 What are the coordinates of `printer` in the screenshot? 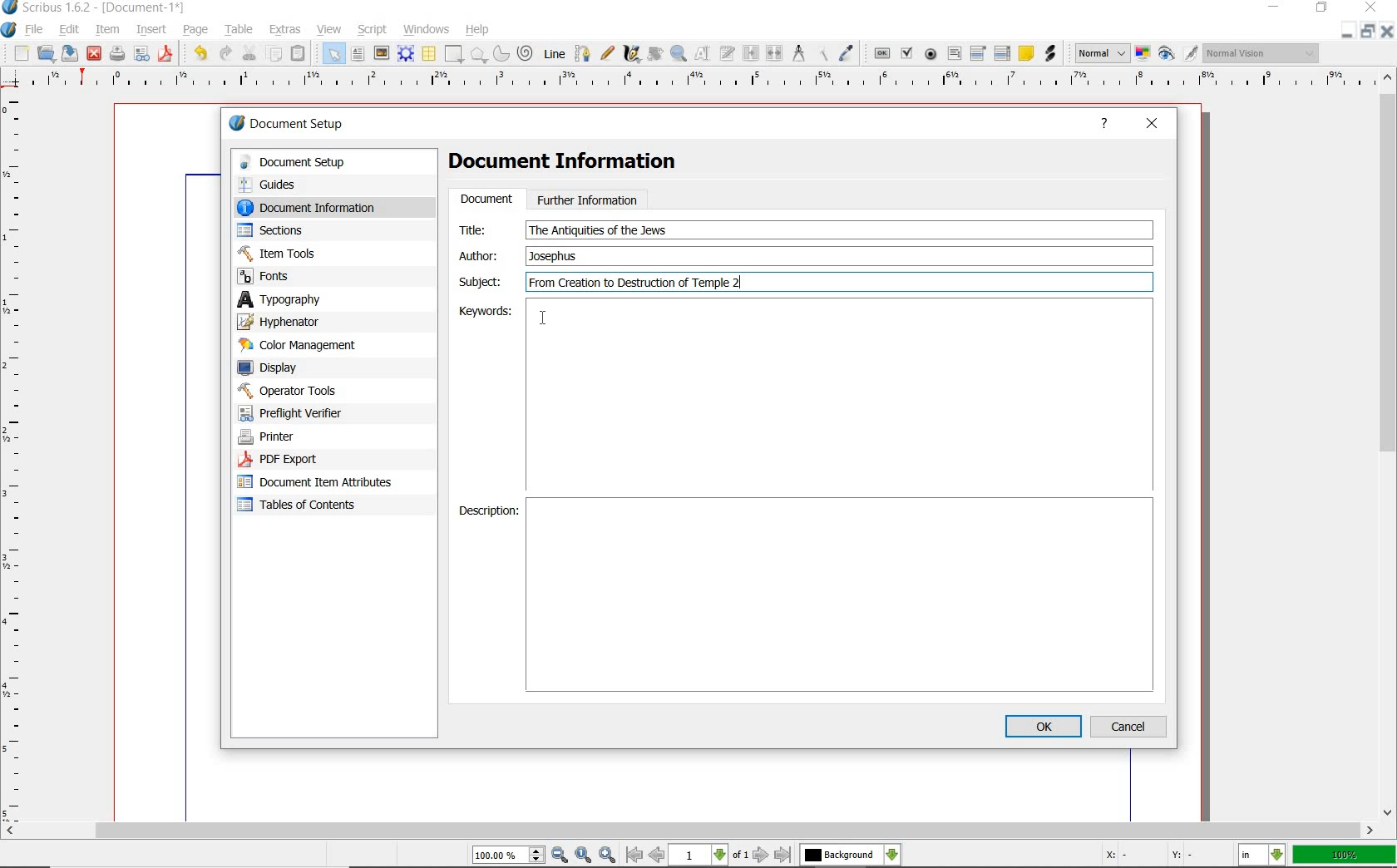 It's located at (306, 437).